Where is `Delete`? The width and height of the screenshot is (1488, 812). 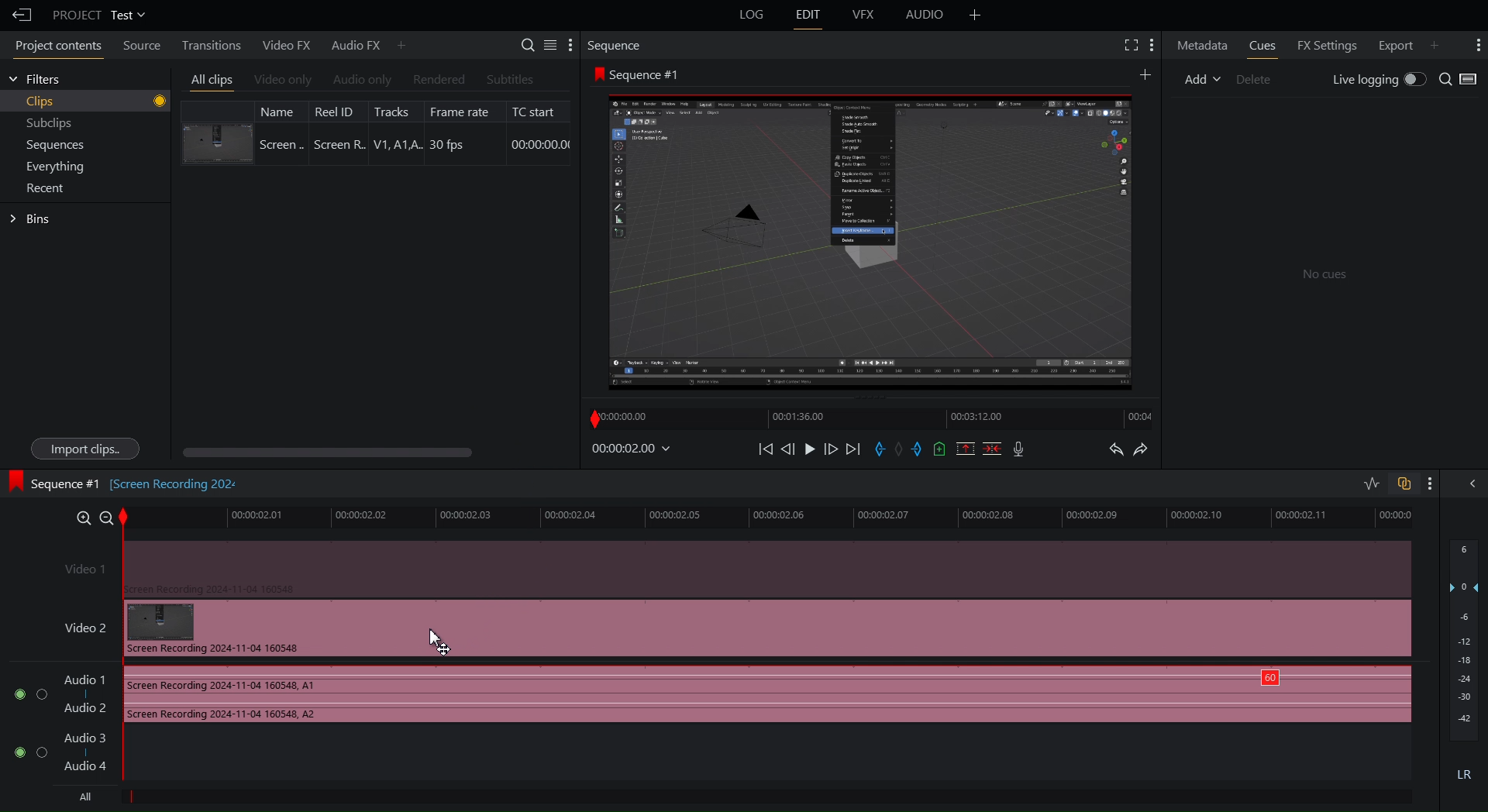 Delete is located at coordinates (1260, 77).